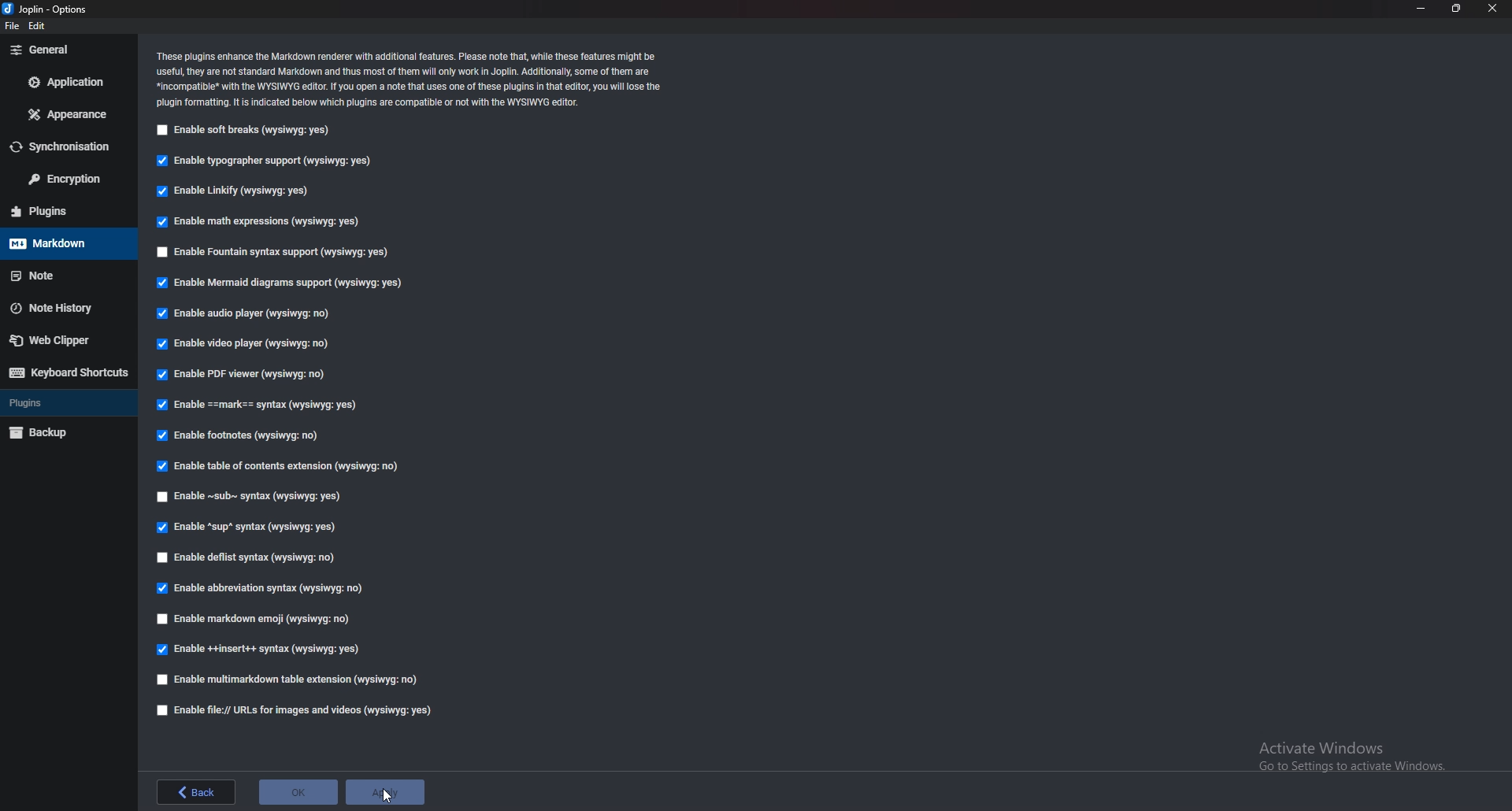 The height and width of the screenshot is (811, 1512). What do you see at coordinates (389, 798) in the screenshot?
I see `cursor` at bounding box center [389, 798].